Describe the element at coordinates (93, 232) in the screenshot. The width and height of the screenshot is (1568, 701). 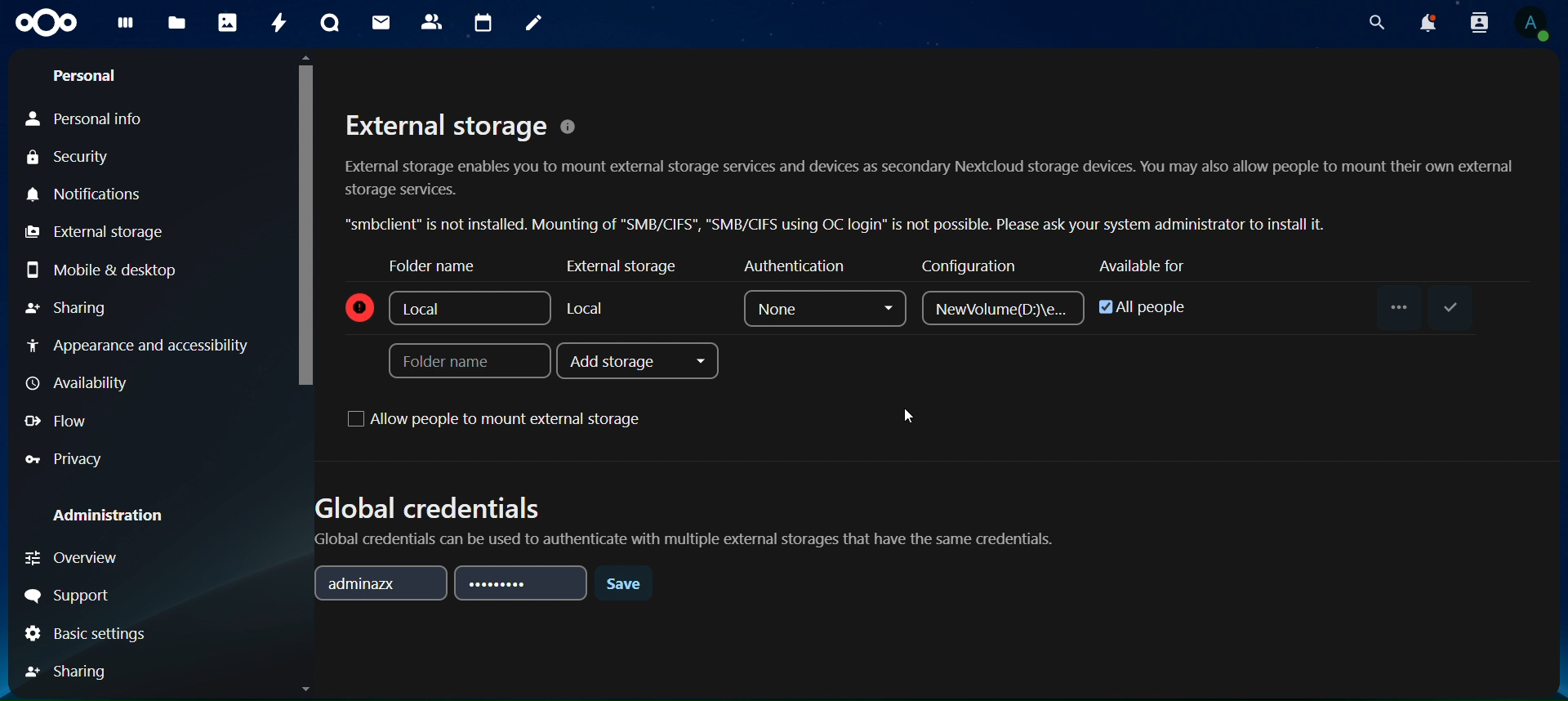
I see `external storage` at that location.